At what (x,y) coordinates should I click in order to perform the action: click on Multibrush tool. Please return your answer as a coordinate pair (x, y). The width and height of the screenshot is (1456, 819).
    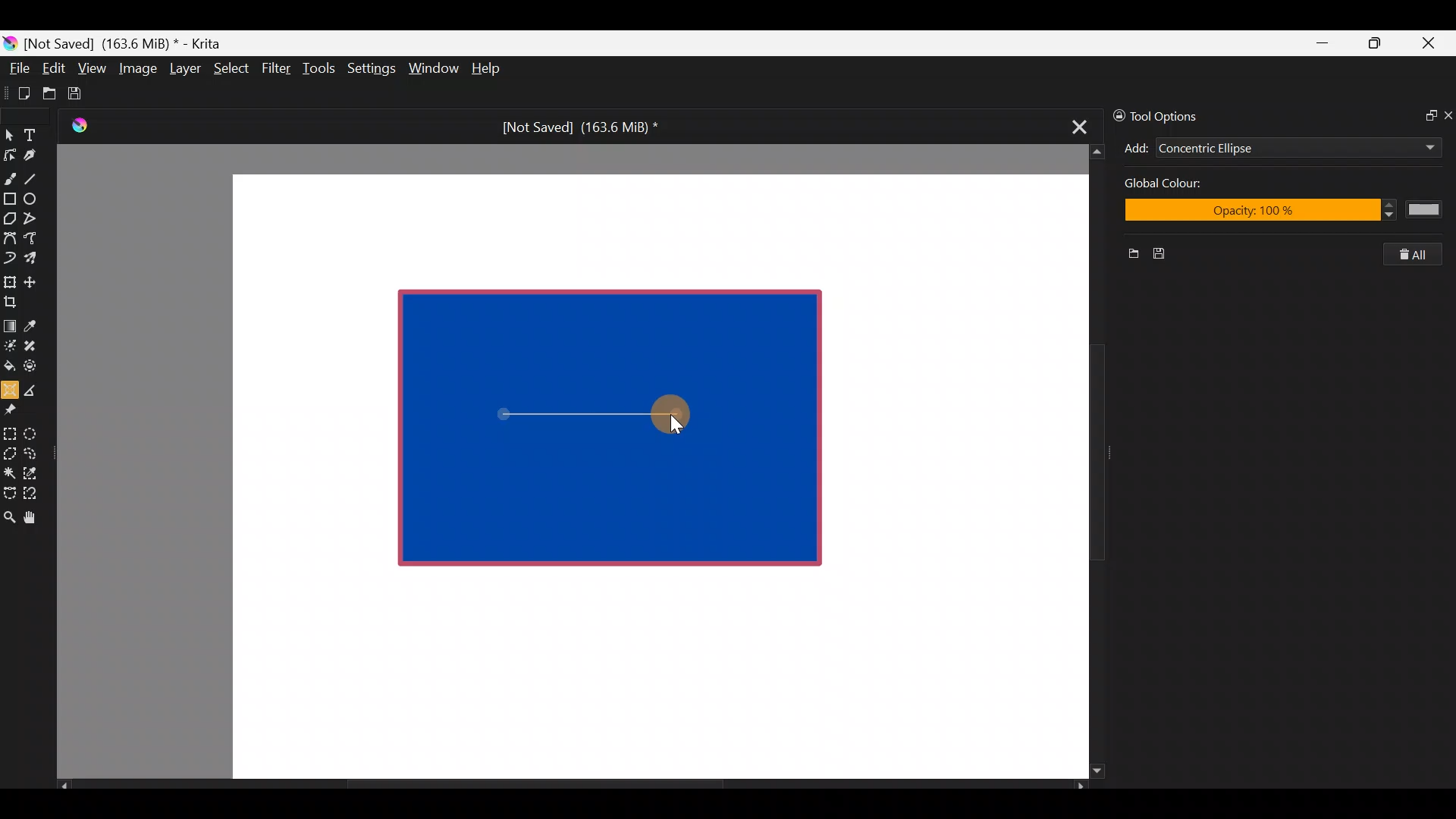
    Looking at the image, I should click on (36, 257).